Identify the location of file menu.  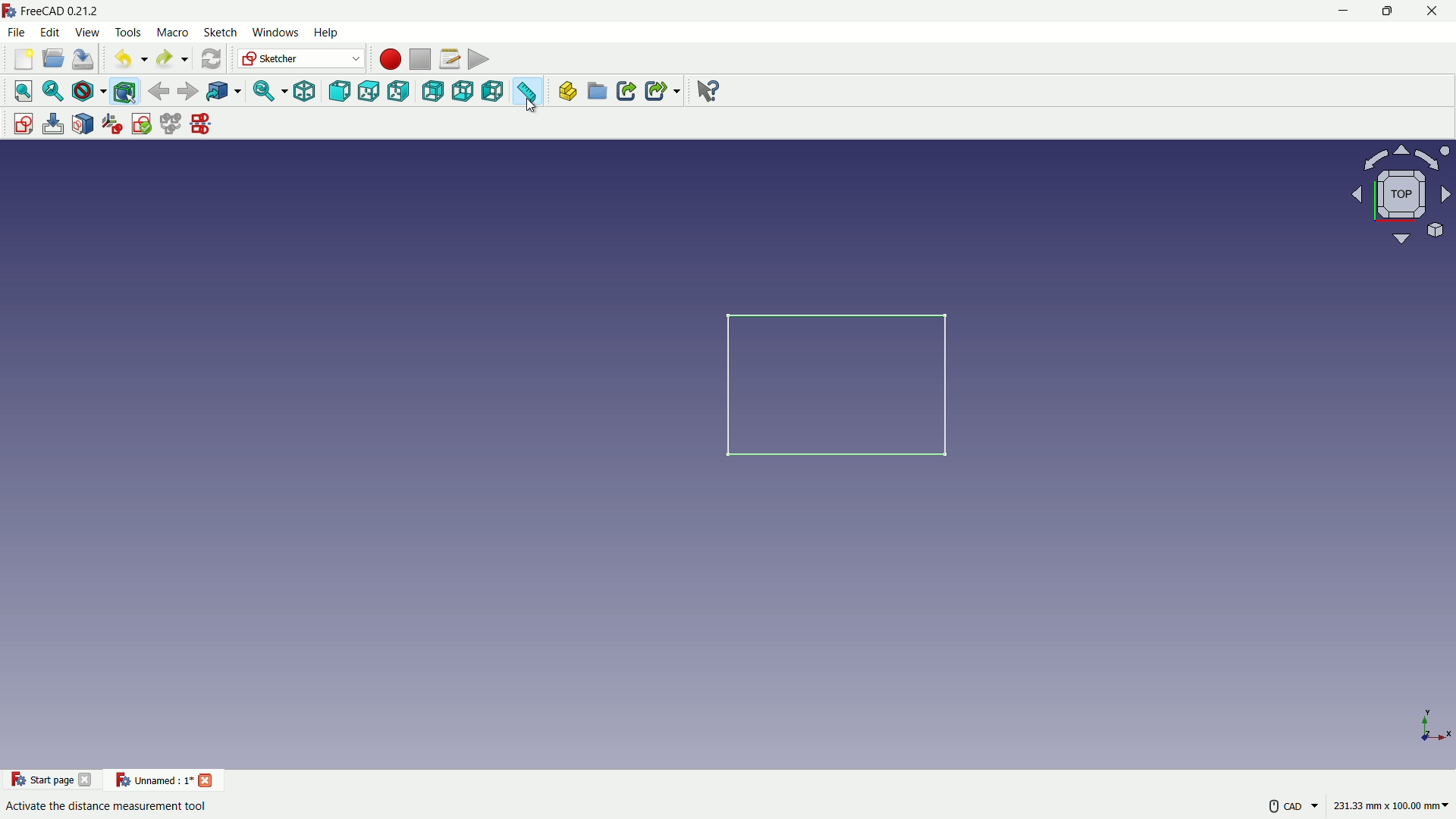
(18, 33).